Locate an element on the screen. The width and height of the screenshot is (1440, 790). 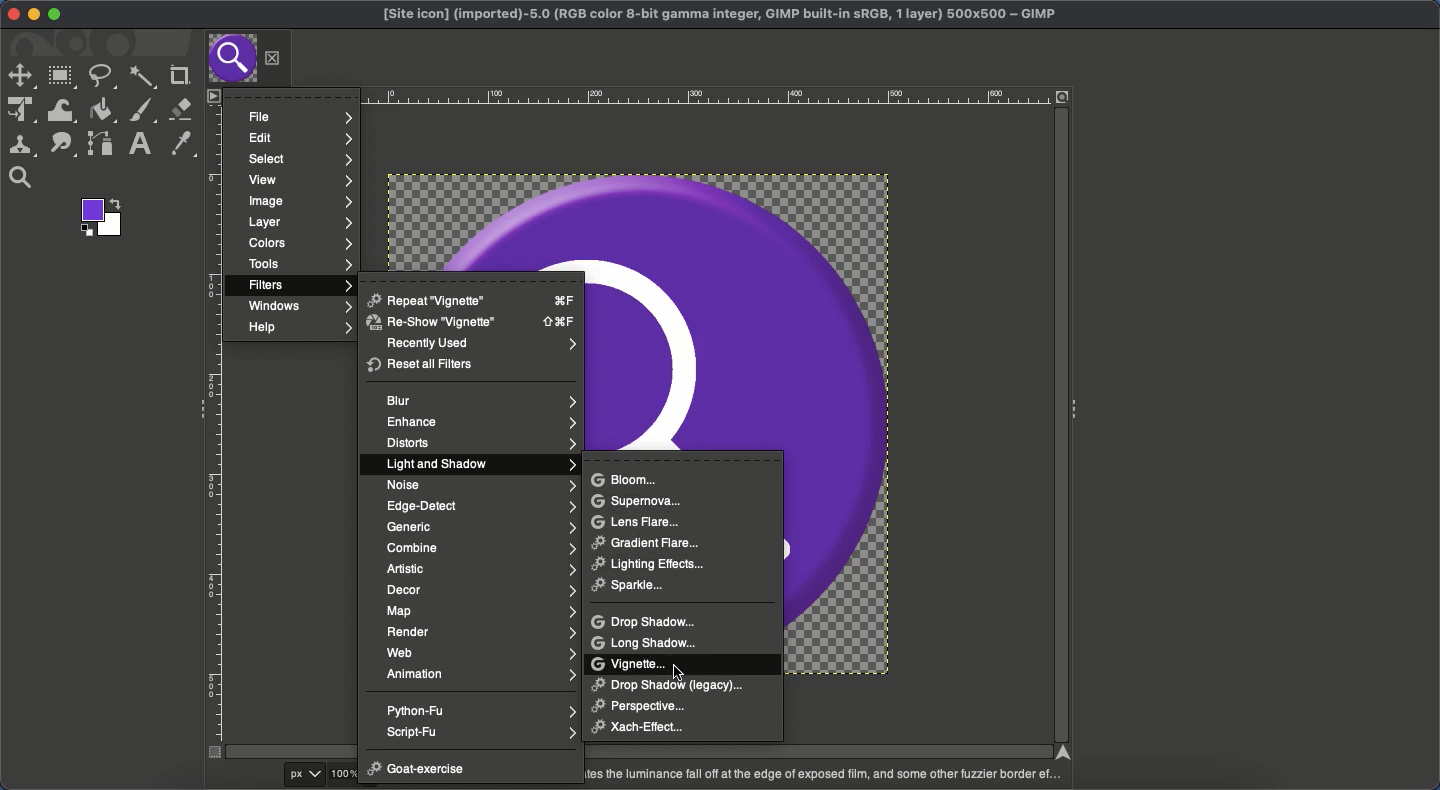
Generic is located at coordinates (480, 529).